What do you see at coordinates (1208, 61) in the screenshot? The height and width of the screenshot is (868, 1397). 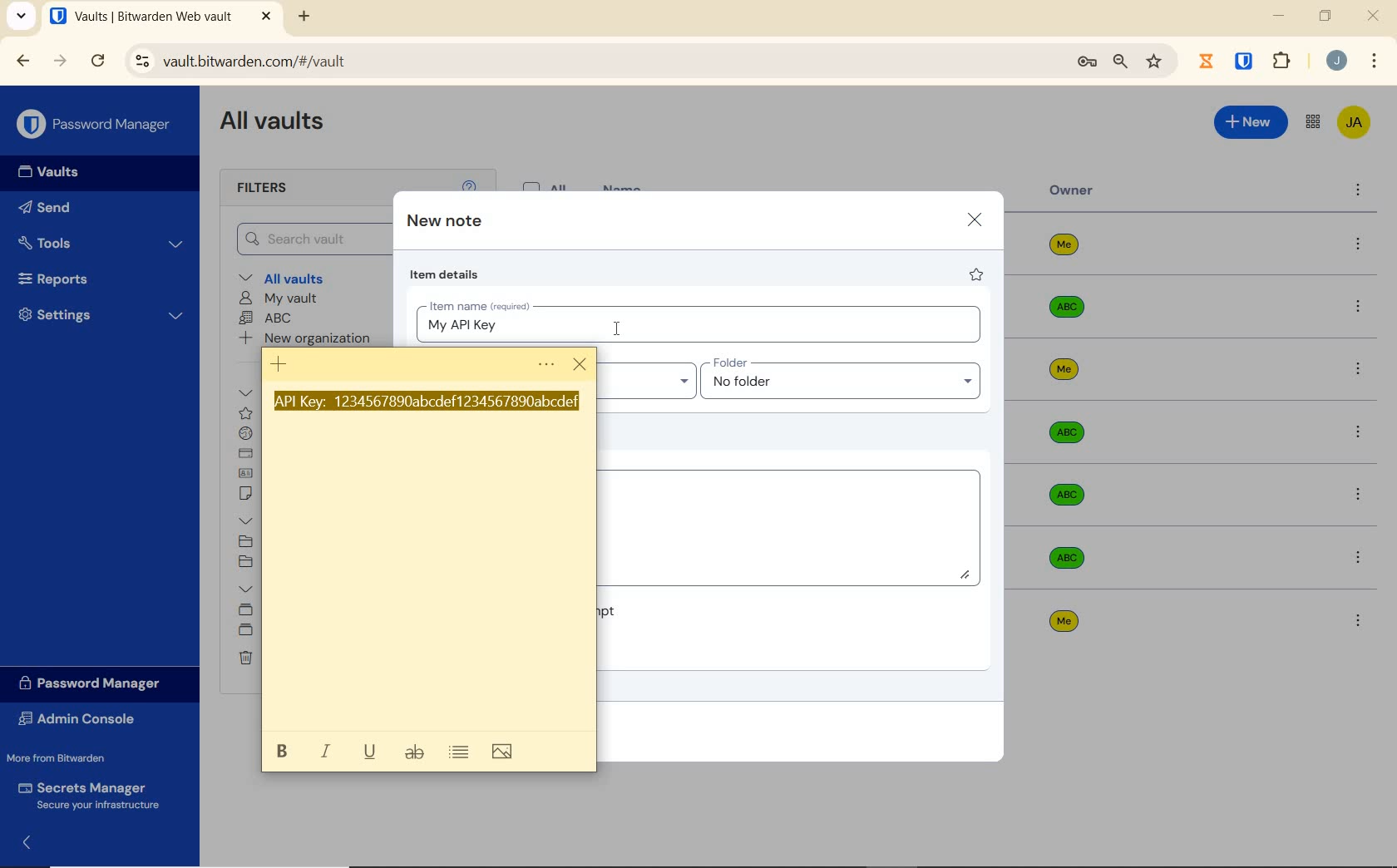 I see `Jibril Extension` at bounding box center [1208, 61].